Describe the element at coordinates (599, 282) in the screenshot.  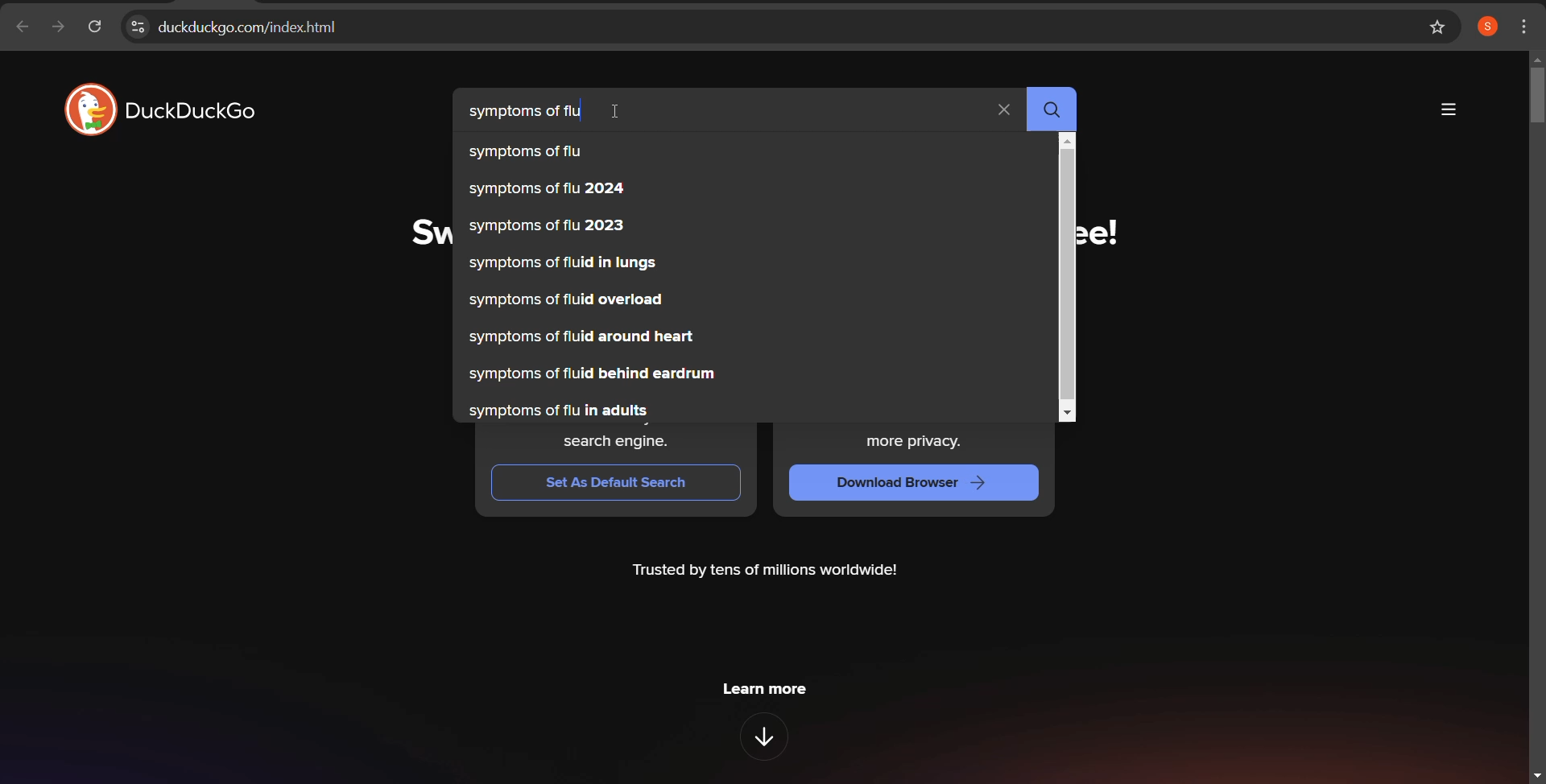
I see `autosuggestions` at that location.